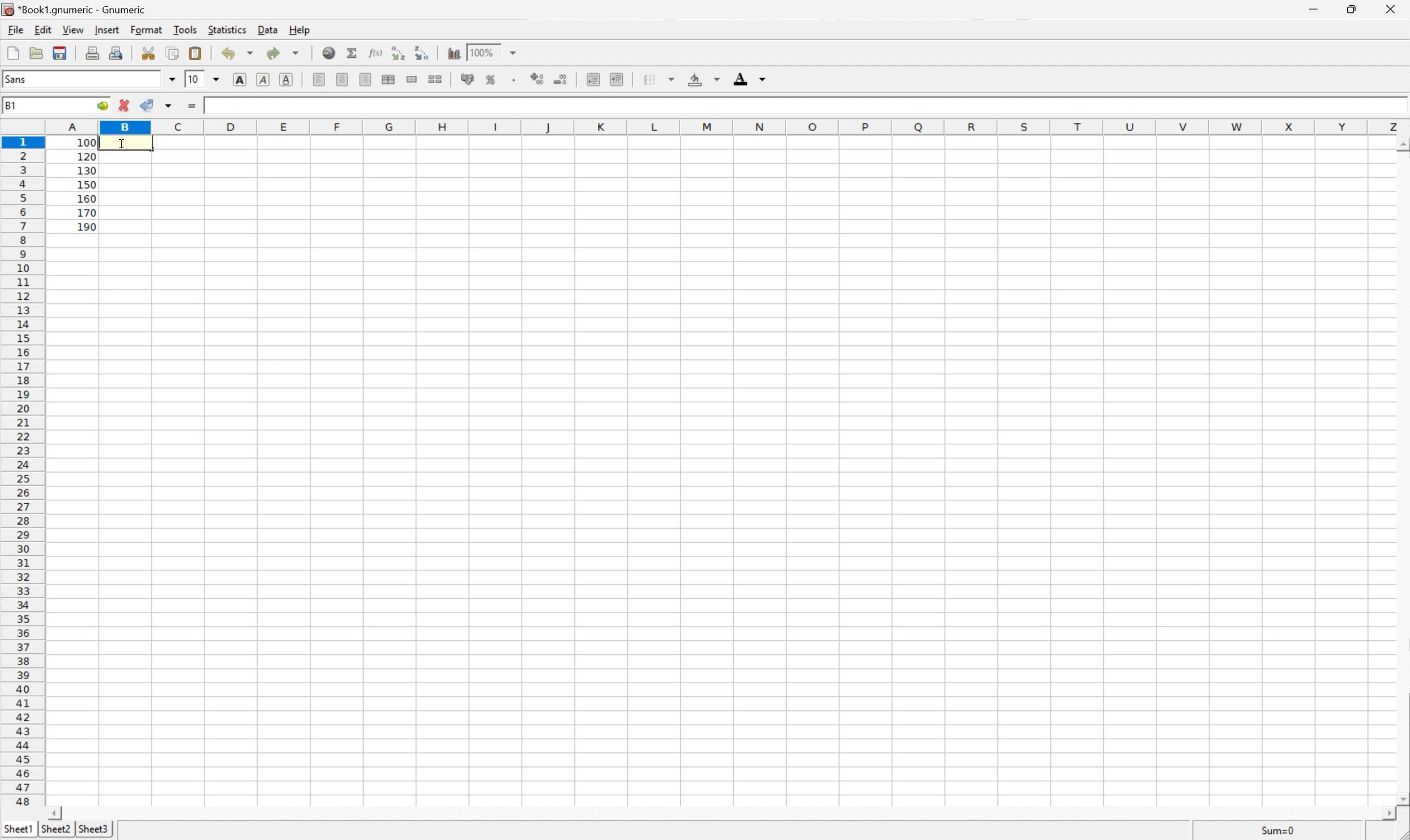 The height and width of the screenshot is (840, 1410). I want to click on Align Right, so click(366, 79).